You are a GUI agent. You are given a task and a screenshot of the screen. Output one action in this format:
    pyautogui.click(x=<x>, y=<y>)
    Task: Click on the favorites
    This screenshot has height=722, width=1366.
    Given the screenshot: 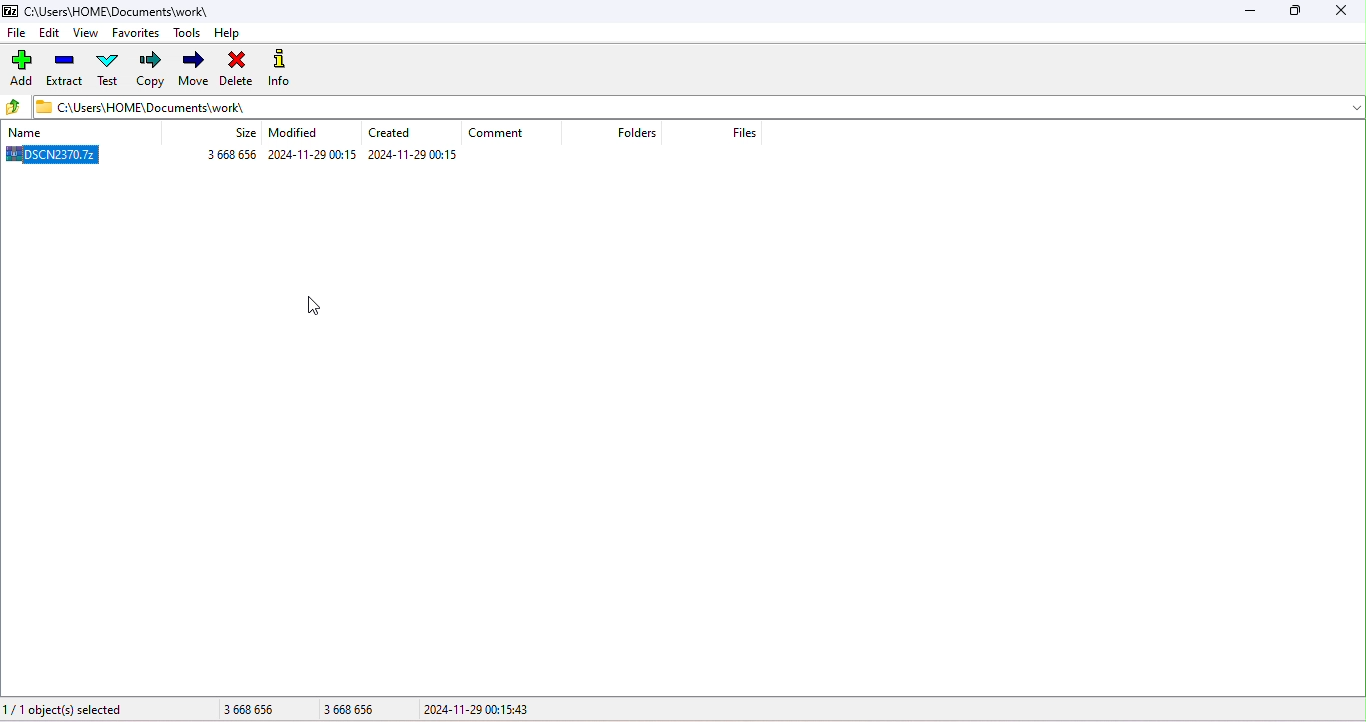 What is the action you would take?
    pyautogui.click(x=137, y=33)
    